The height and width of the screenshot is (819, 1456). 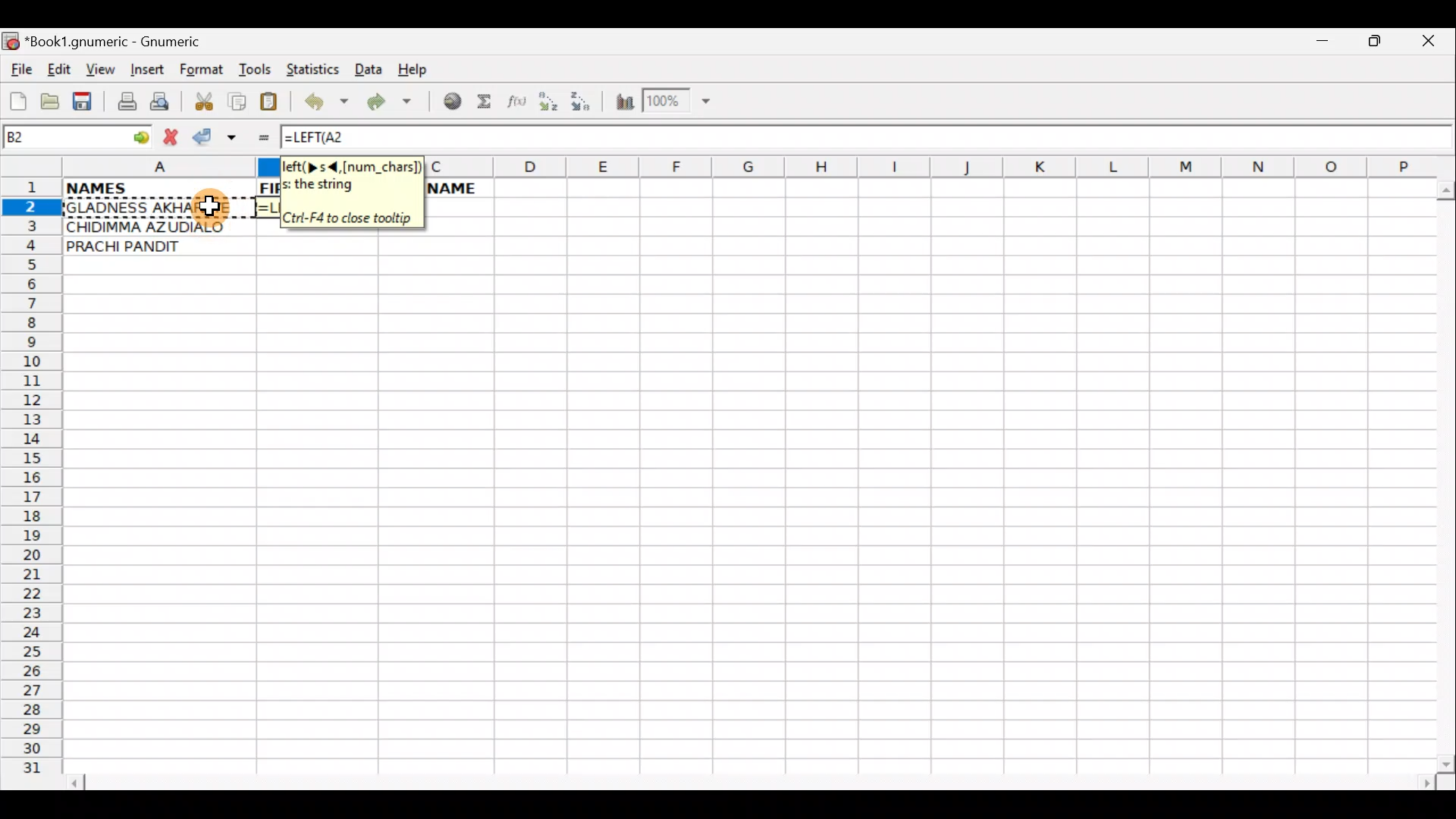 What do you see at coordinates (620, 104) in the screenshot?
I see `Insert Chart` at bounding box center [620, 104].